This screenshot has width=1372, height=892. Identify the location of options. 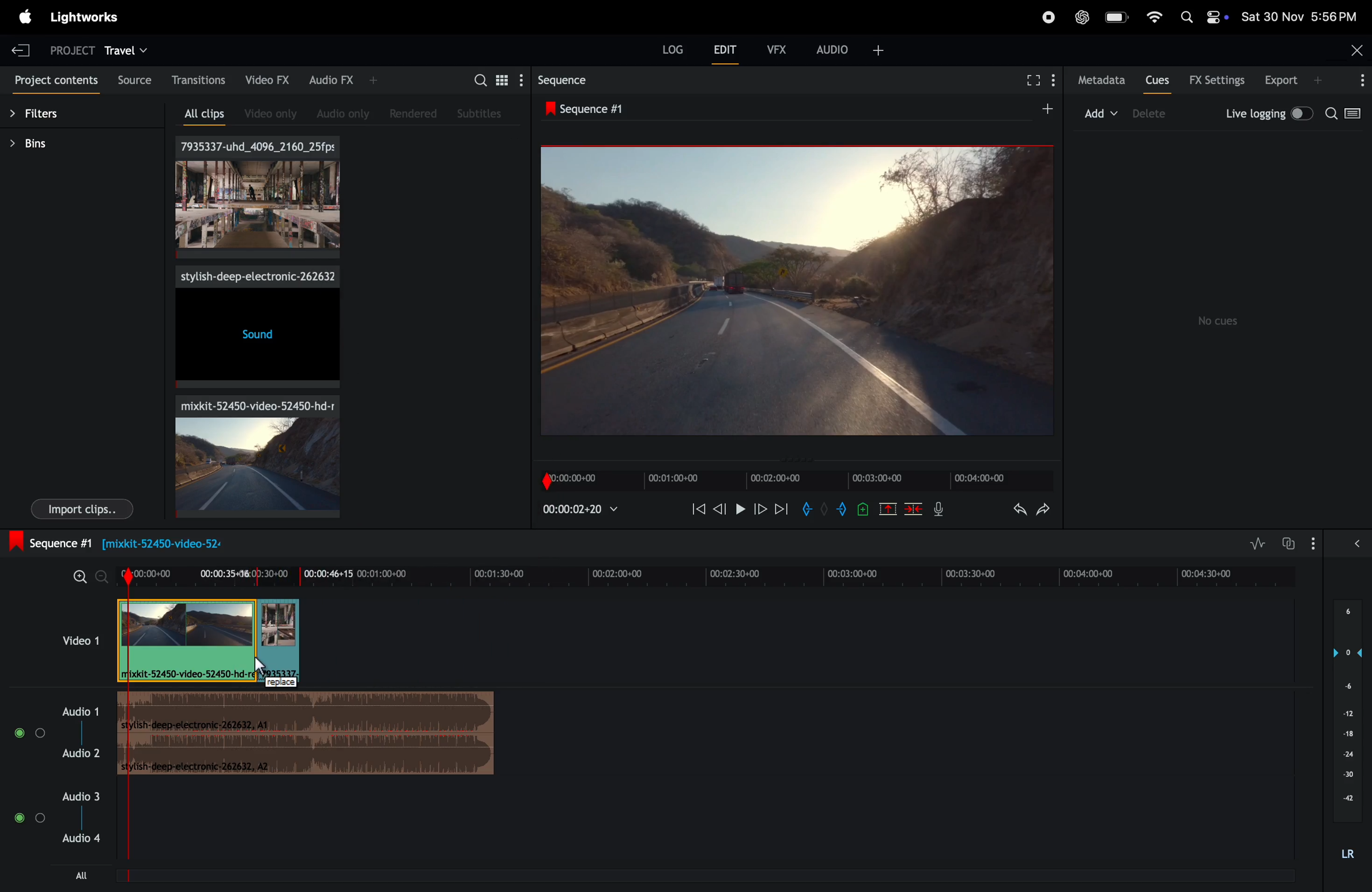
(1339, 542).